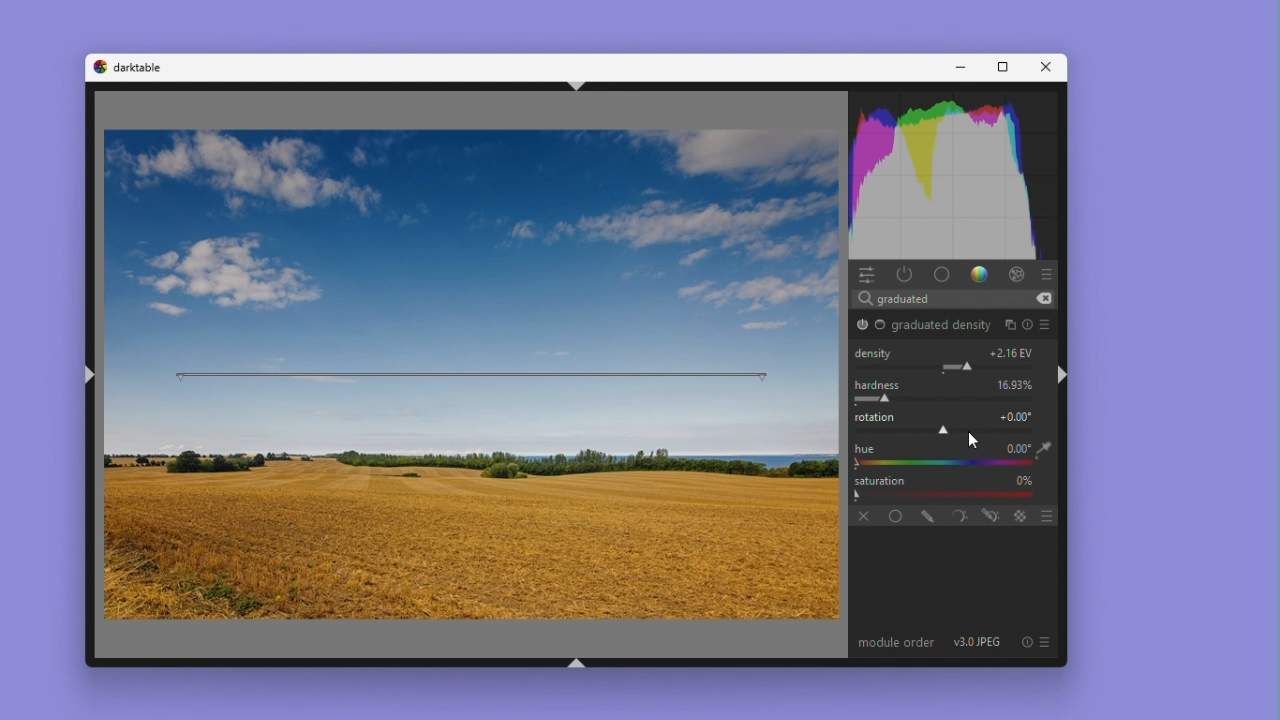 Image resolution: width=1280 pixels, height=720 pixels. I want to click on +0.00, so click(1015, 448).